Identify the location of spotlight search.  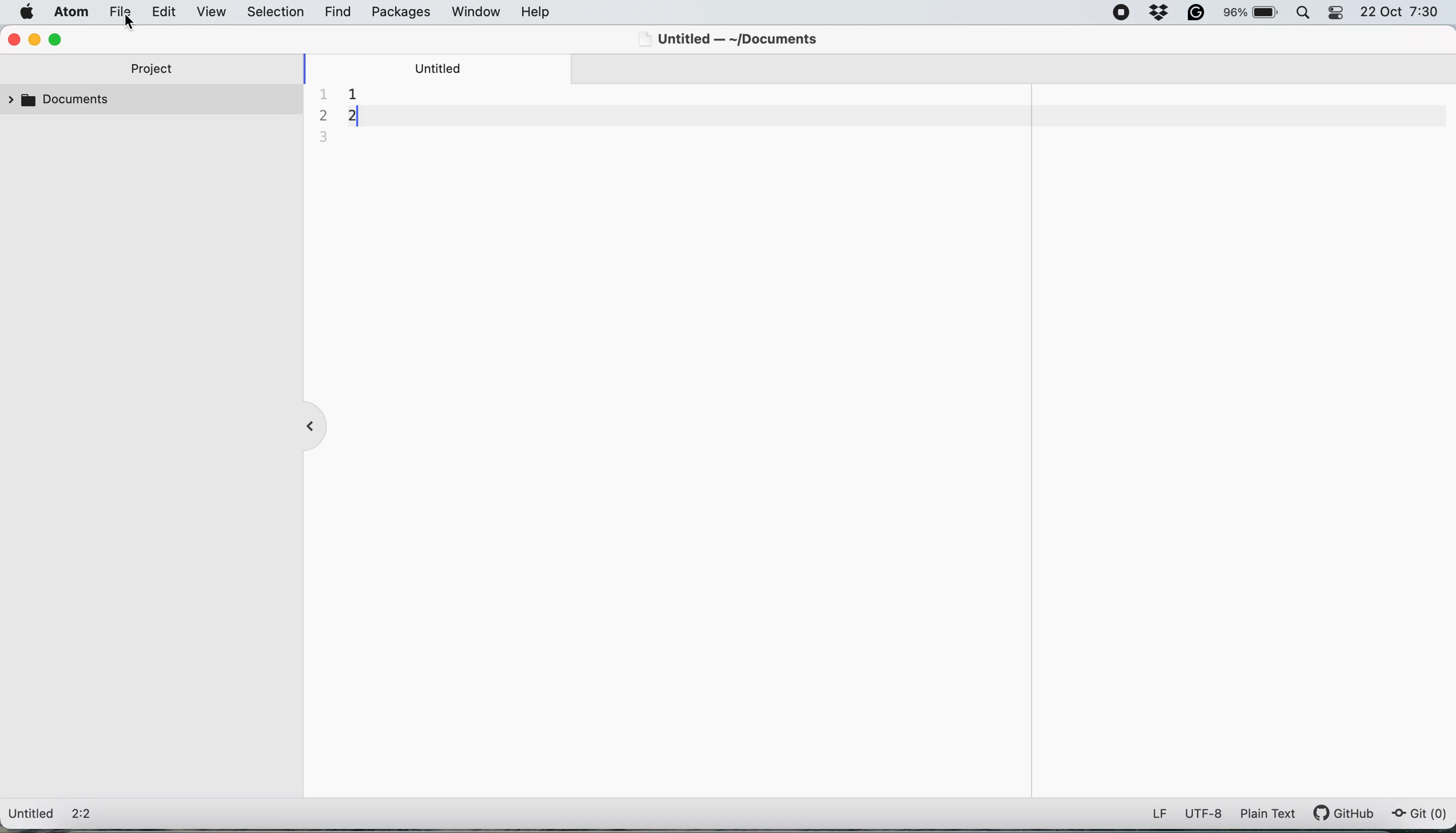
(1303, 15).